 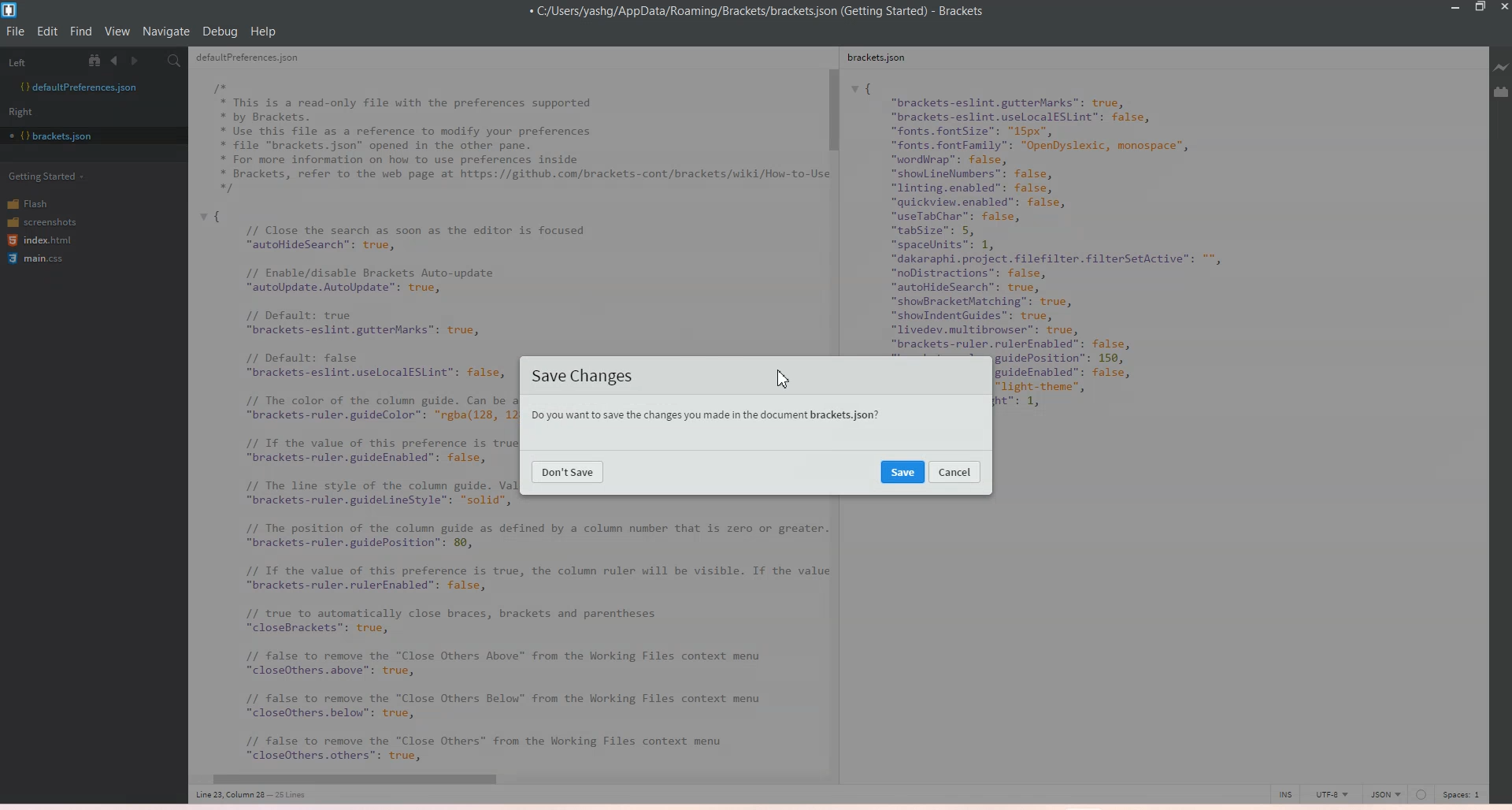 I want to click on defaultPreferences.json

I”

* This is a read-only file with the preferences supported

* by Brackets.

* Use this file as a reference to modify your preferences

* file "brackets.json" opened in the other pane.

* For more information on how to use preferences inside

* Brackets, refer to the web page at https://github.com/brackets-cont/brackets/wiki/How-to-Us

*

vi

// Close the search as soon as the editor is focused
“autoHideSearch”: true,
// Enable/disable Brackets Auto-update
“autoUpdate. AutoUpdate”: true,
// Default: true
“brackets-eslint.gutterMarks”: true,
// Default: false
“brackets-eslint.uselocalESLint": false,
// The color of the column guide. Can be any valid CSS Color value.
“brackets-ruler.guideColor”: "rgba(128, 128, 128, 0.5)",
// Tf the value of this preference is true, the column guide will be visible. Tf the val.
“brackets-ruler.guideEnabled”: false,
// The line style of the column guide. Values can be one of the following: "solid", "dott
“brackets-ruler.guidelineStyle": "solid",
// The position of the column guide as defined by a column number that is zero or greater
“brackets-ruler.guidePosition”: 80,
// Tf the value of this preference is true, the column ruler will be visible. Tf the val.
“brackets-ruler.rulerEnabled”: false,
// true to automatically close braces, brackets and parentheses
“closeBrackets”: true,
// false to remove the "Close Others Above” from the Working Files context menu
“closeOthers.above”: true,
// false to remove the "Close Others Below” from the Working Files context menu
“closeOthers.below": true,
// false to remove the "Close Others” from the Working Files context menu
“closeOthers.others”: true,, so click(x=354, y=423).